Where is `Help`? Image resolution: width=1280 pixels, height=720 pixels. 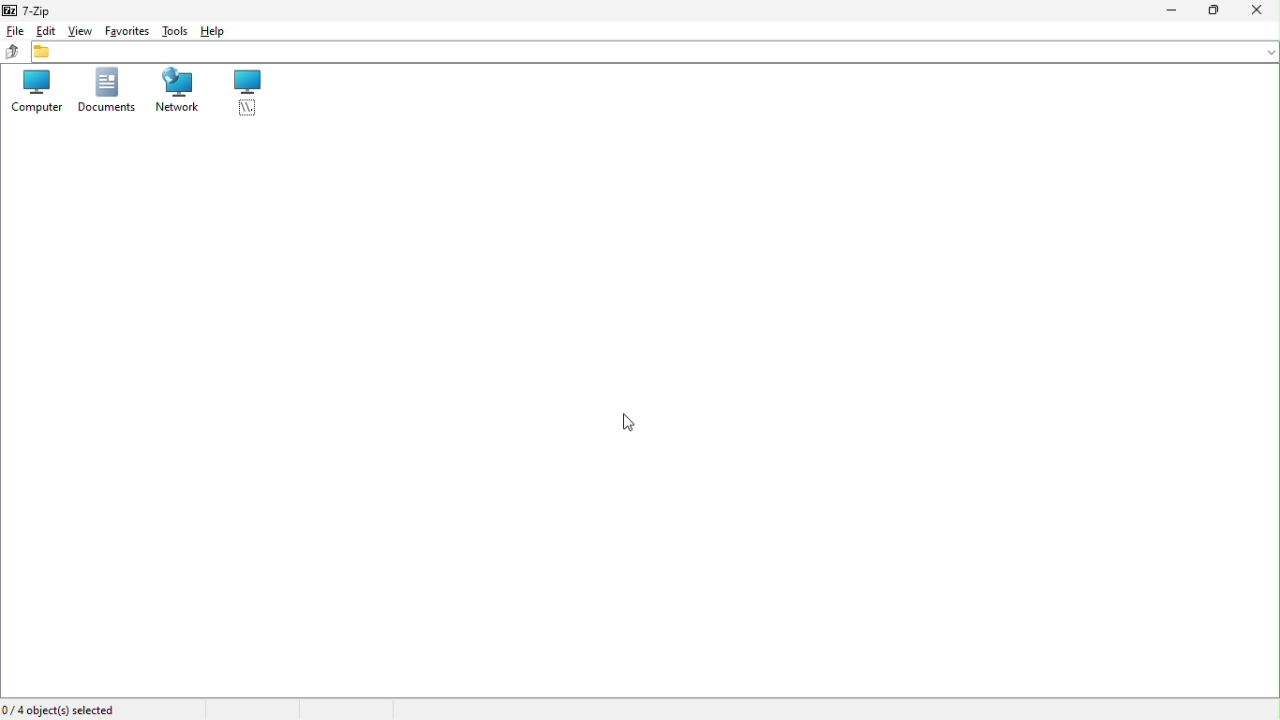
Help is located at coordinates (221, 30).